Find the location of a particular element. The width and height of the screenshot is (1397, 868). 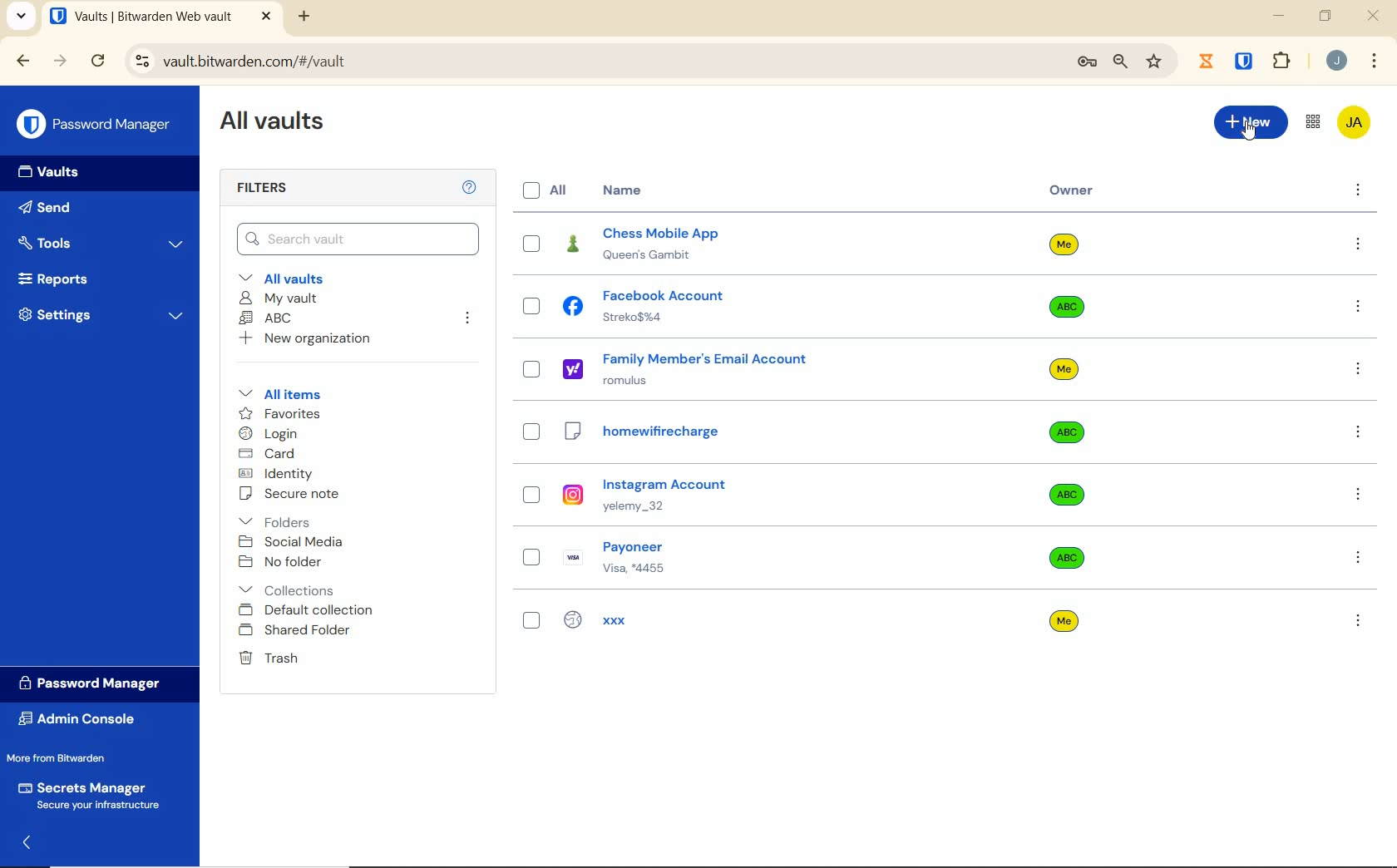

expand/collapse is located at coordinates (30, 841).